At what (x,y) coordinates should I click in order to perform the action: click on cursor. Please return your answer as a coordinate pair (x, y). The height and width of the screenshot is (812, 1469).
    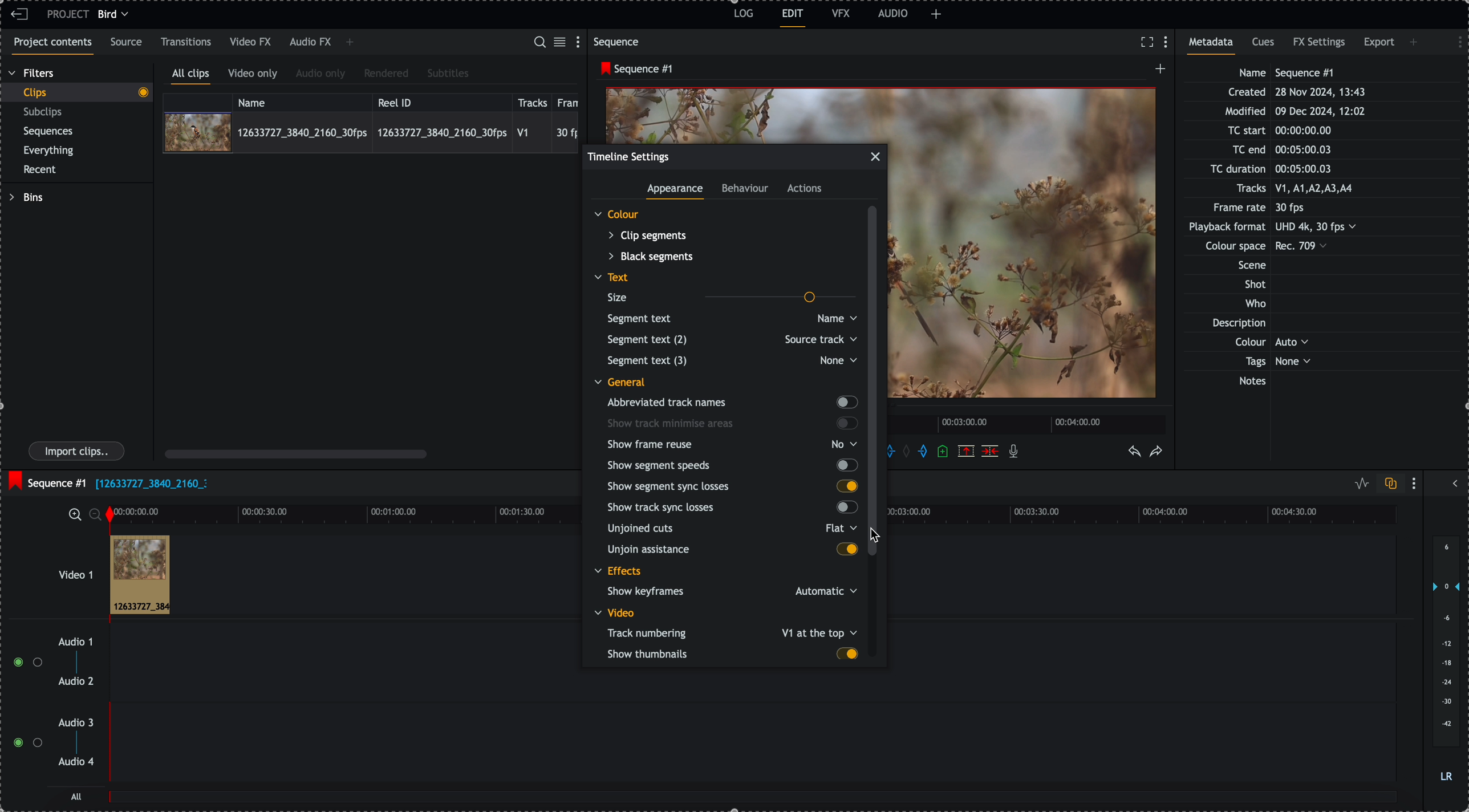
    Looking at the image, I should click on (874, 534).